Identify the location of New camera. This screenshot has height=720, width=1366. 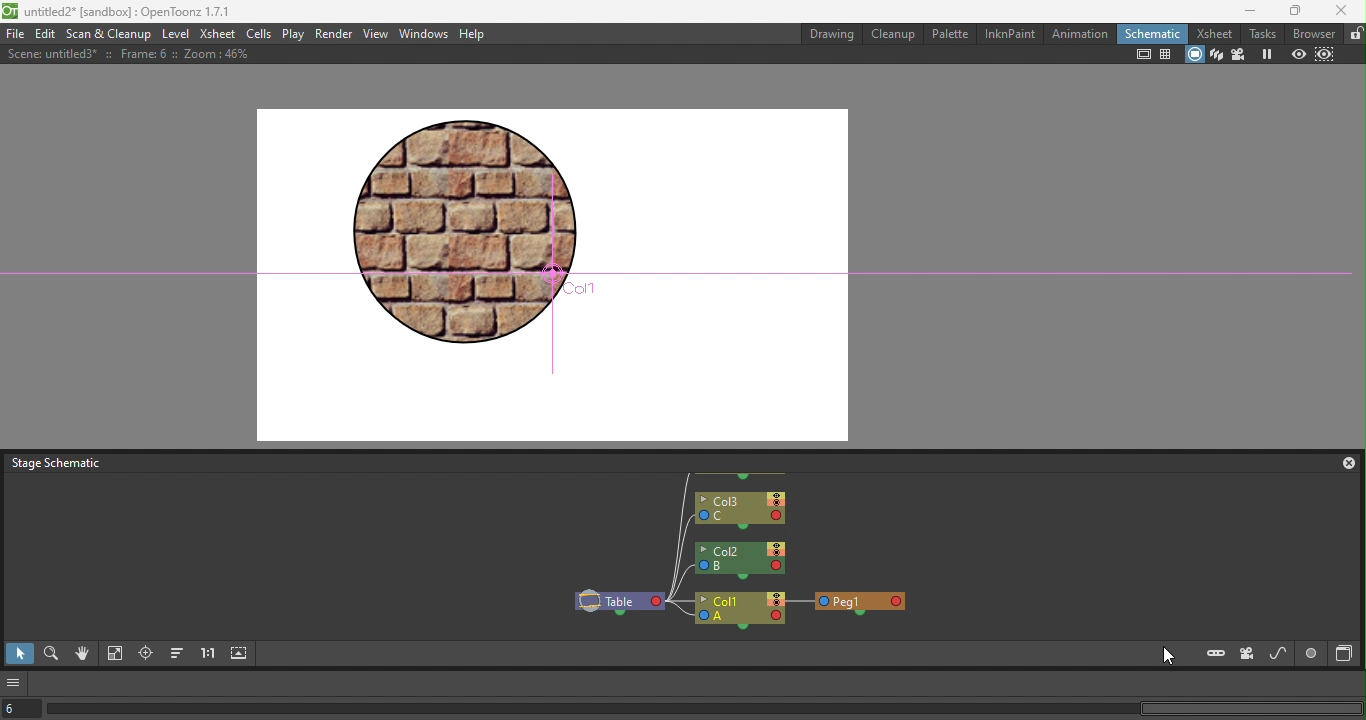
(1247, 654).